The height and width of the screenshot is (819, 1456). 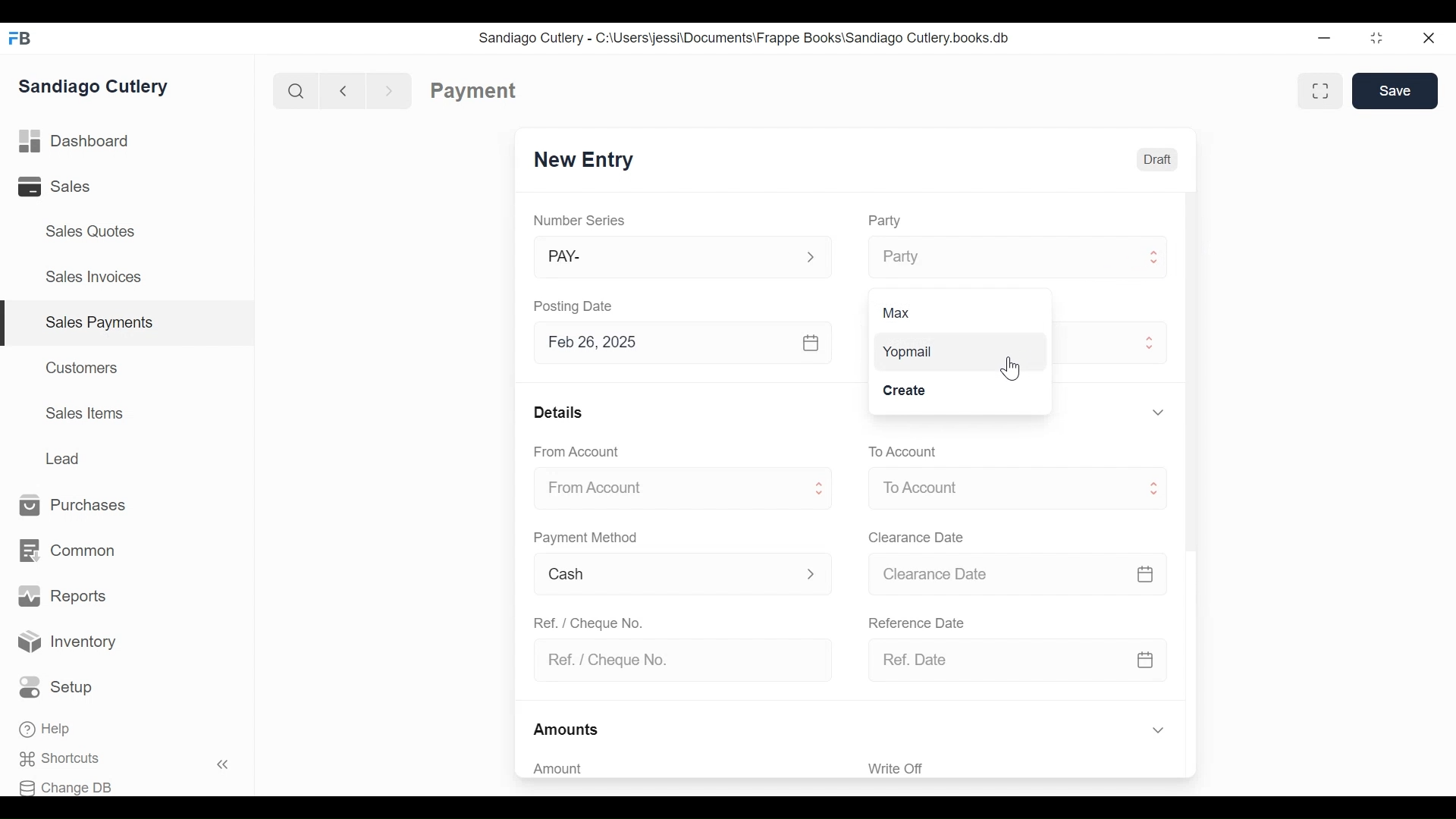 What do you see at coordinates (812, 344) in the screenshot?
I see `Calendar` at bounding box center [812, 344].